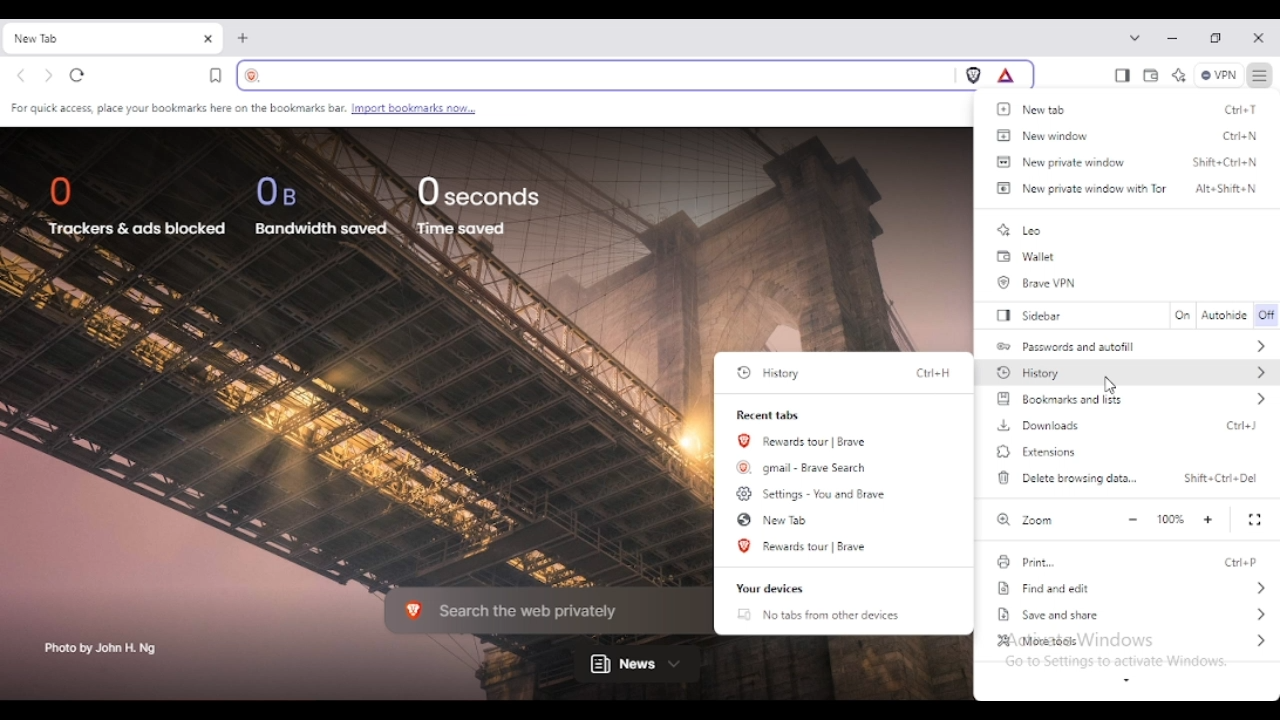 The image size is (1280, 720). What do you see at coordinates (1225, 316) in the screenshot?
I see `autohide` at bounding box center [1225, 316].